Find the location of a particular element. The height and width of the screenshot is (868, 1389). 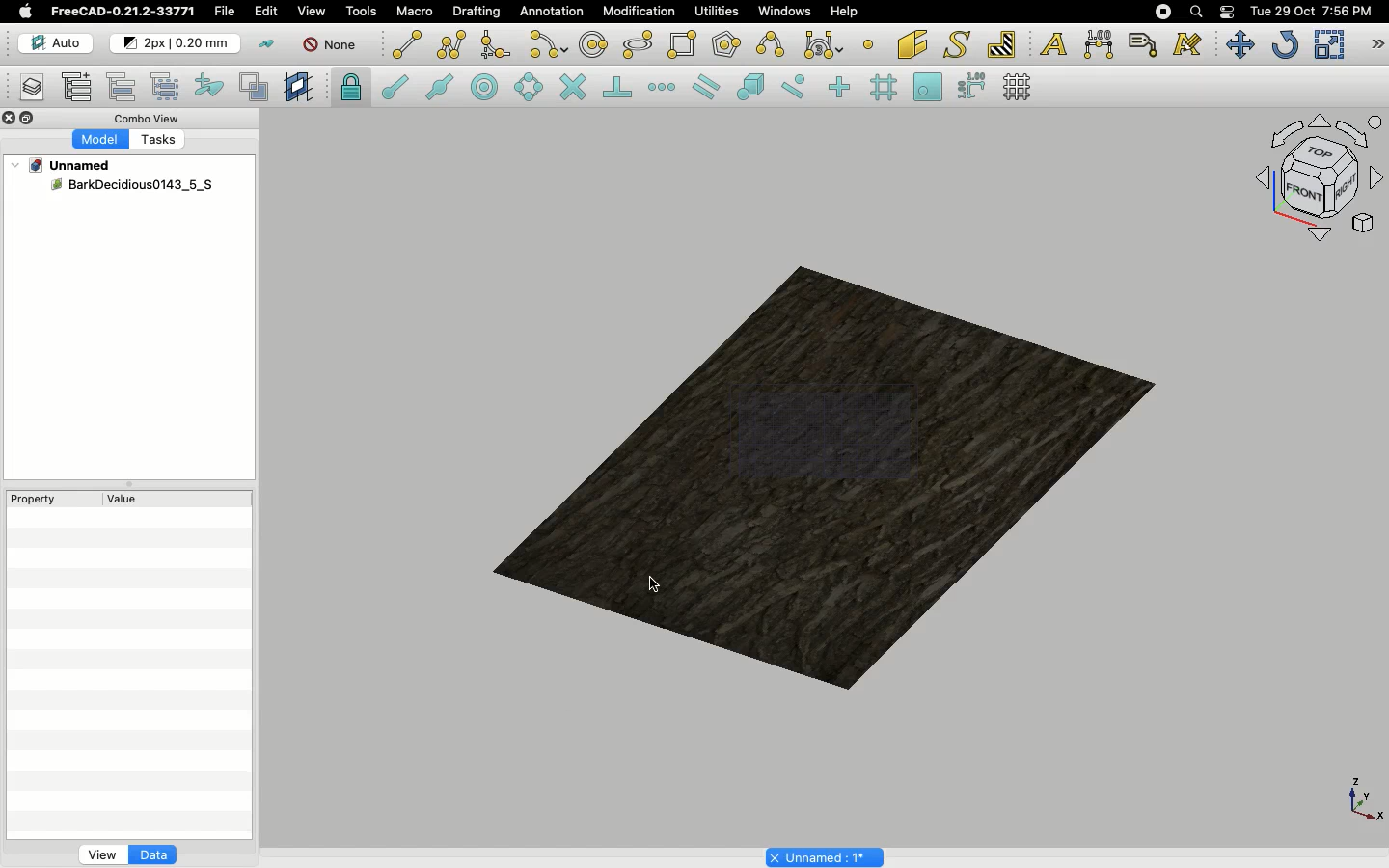

Snap midpoint is located at coordinates (441, 90).